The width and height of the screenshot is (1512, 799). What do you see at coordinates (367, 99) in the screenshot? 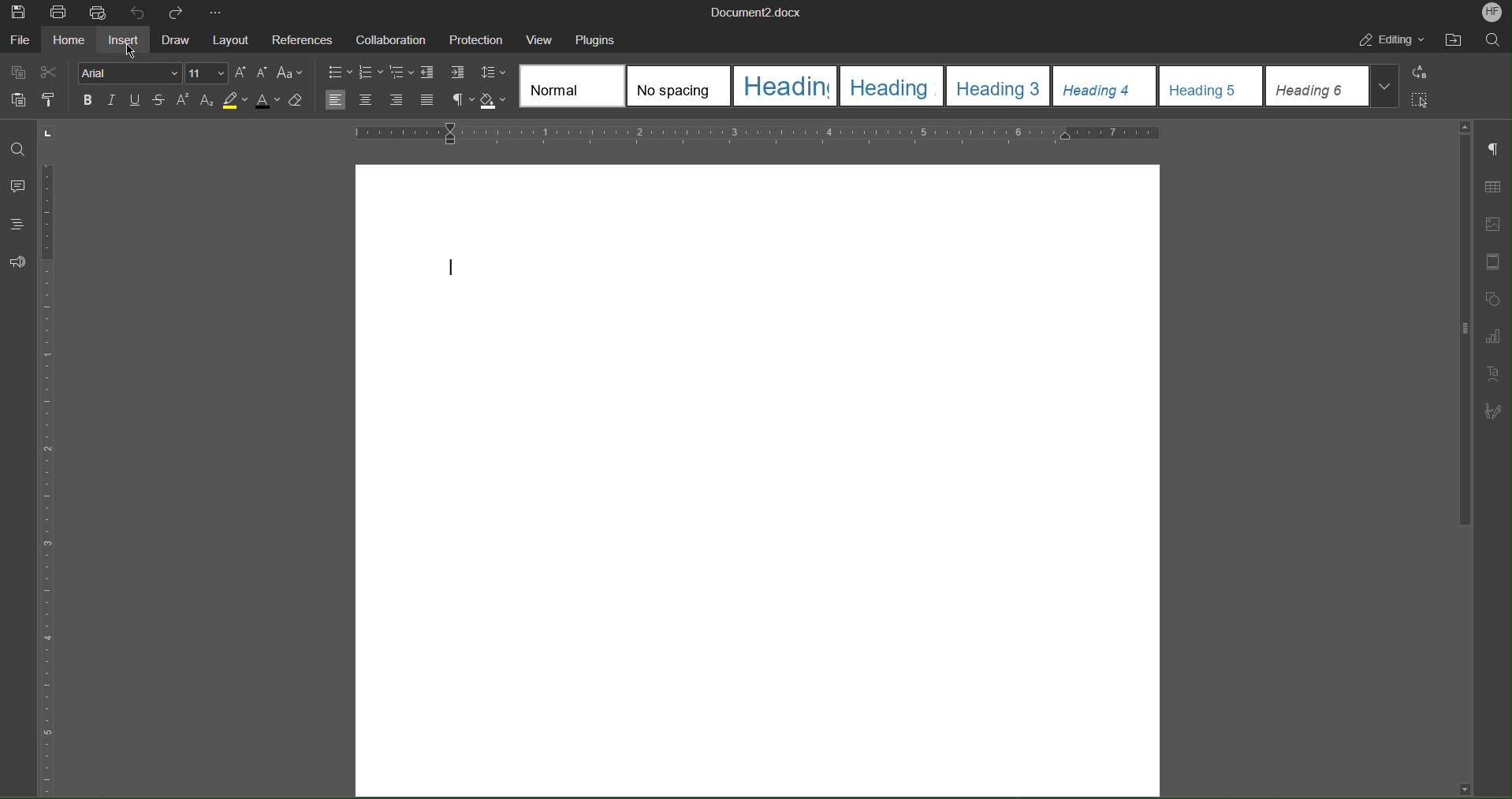
I see `Centre Align` at bounding box center [367, 99].